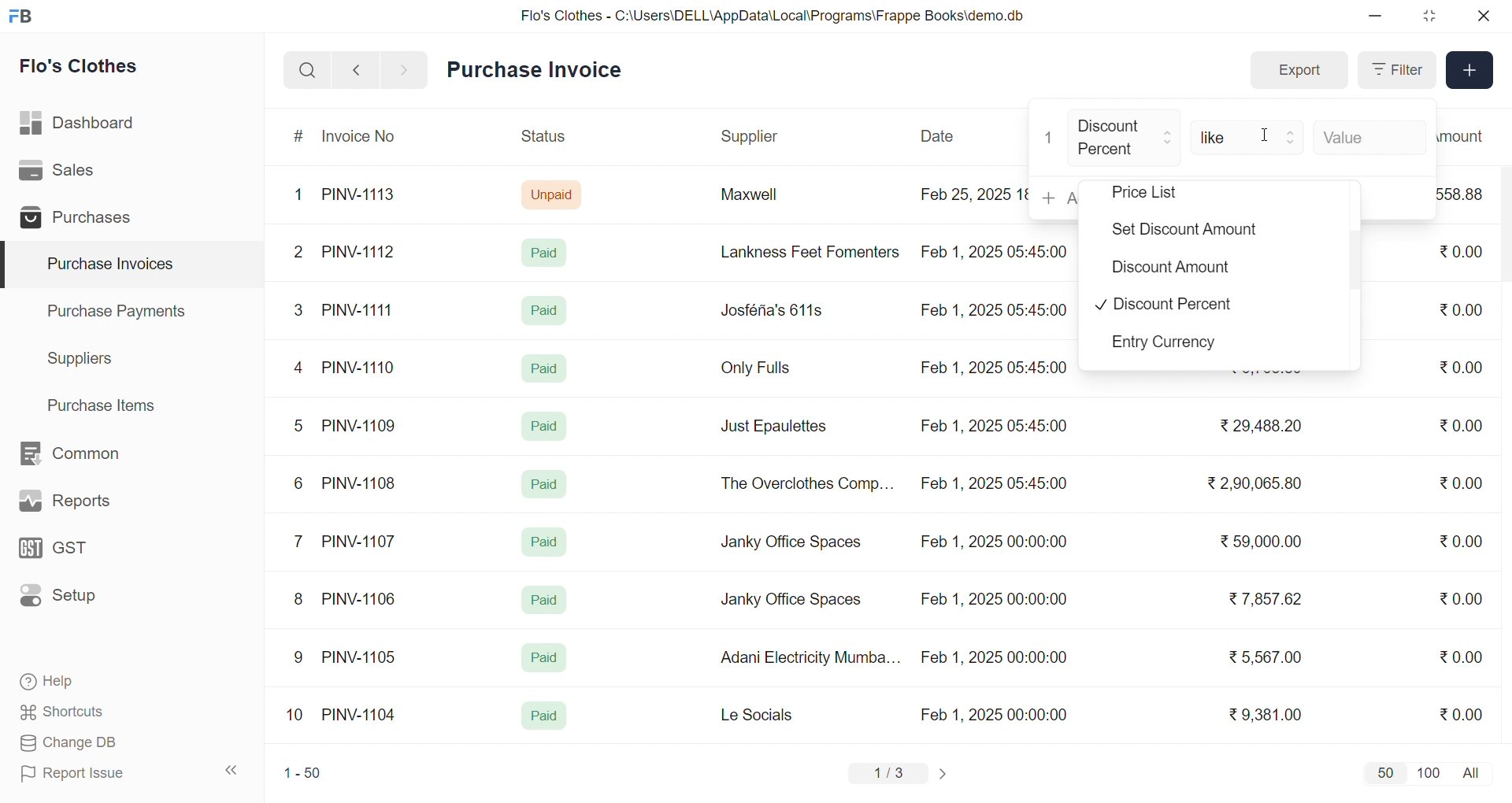 This screenshot has height=803, width=1512. Describe the element at coordinates (83, 505) in the screenshot. I see `Reports` at that location.